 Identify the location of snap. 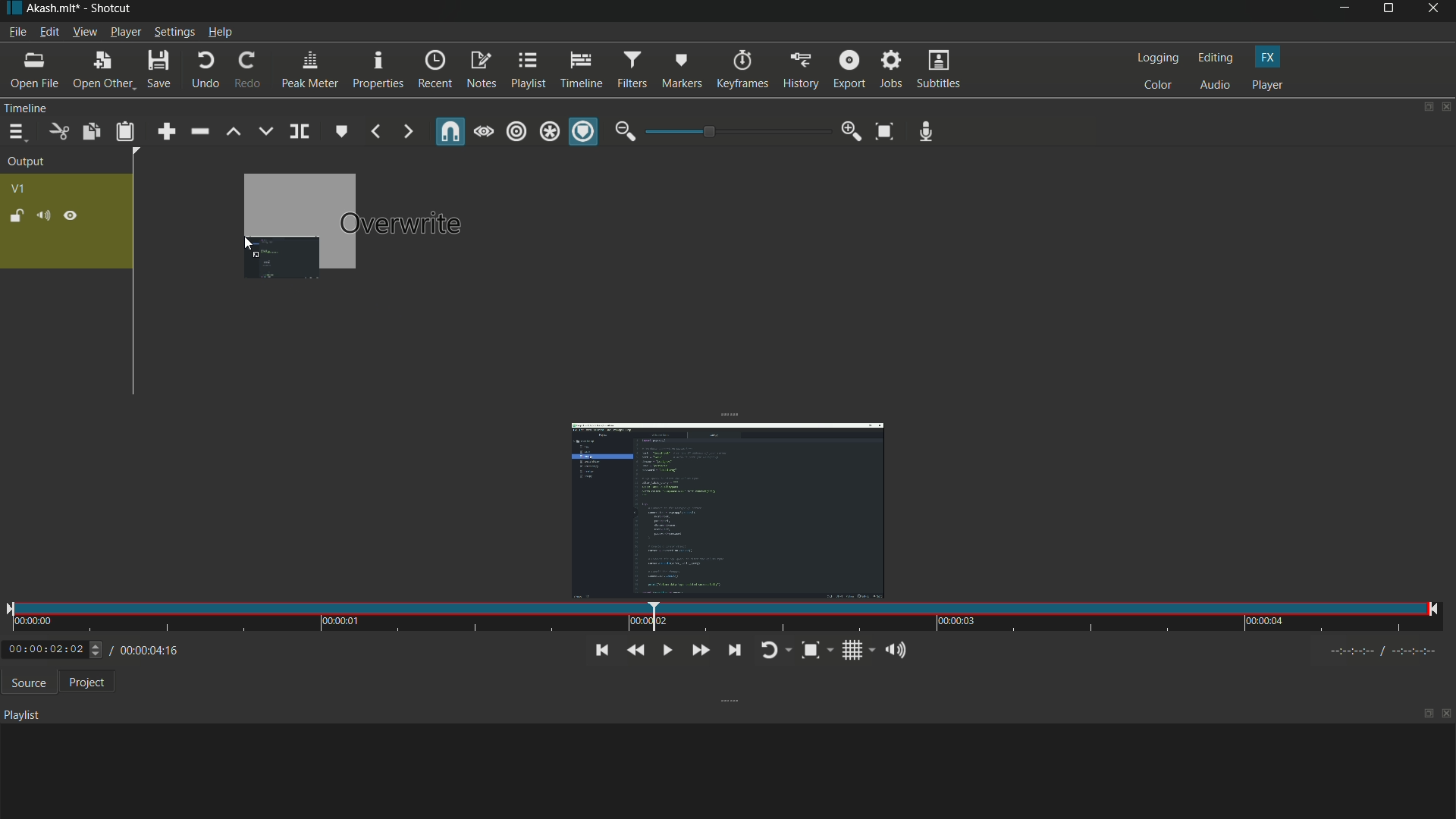
(452, 131).